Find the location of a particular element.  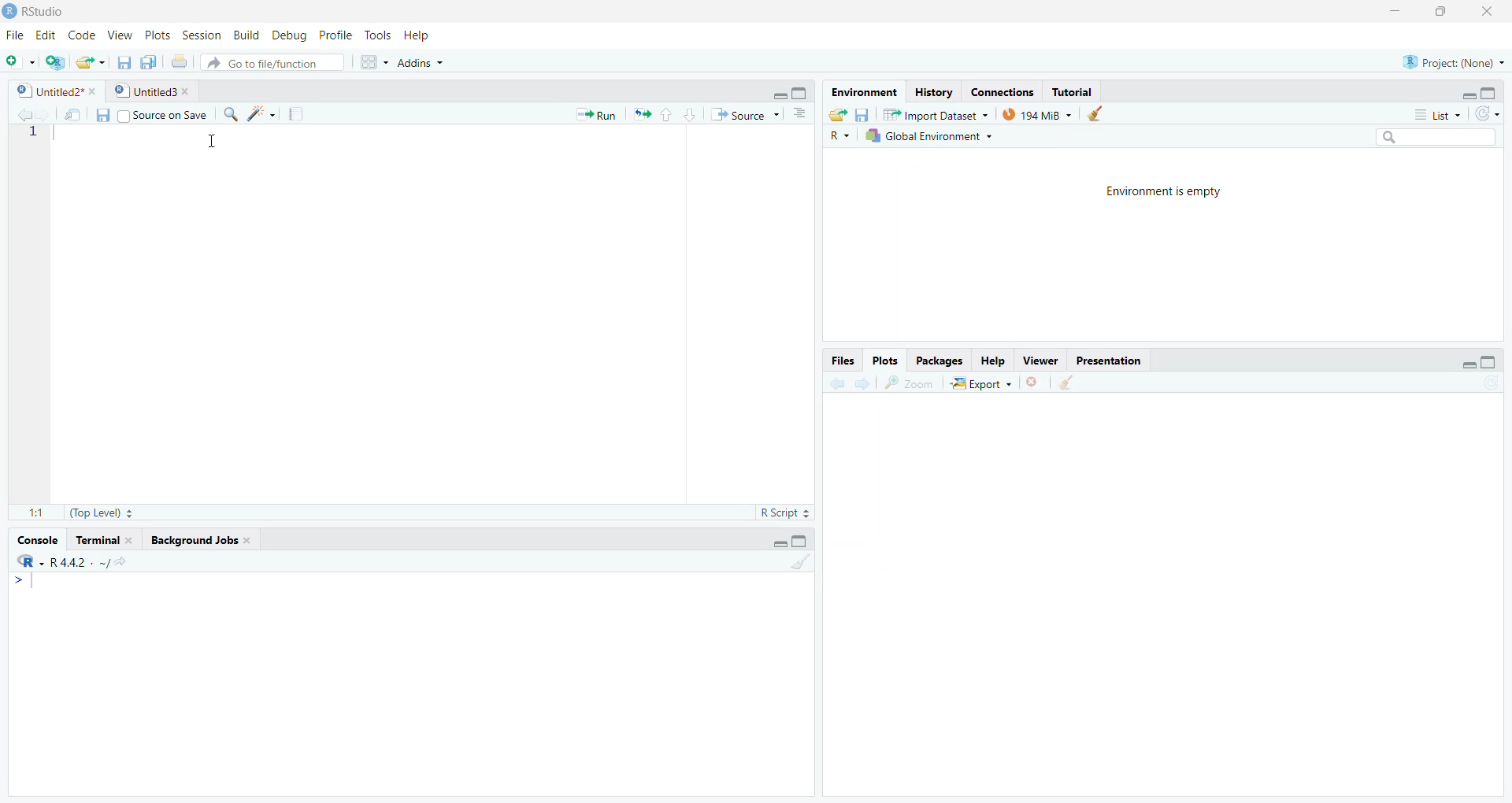

Untitled2 is located at coordinates (60, 92).